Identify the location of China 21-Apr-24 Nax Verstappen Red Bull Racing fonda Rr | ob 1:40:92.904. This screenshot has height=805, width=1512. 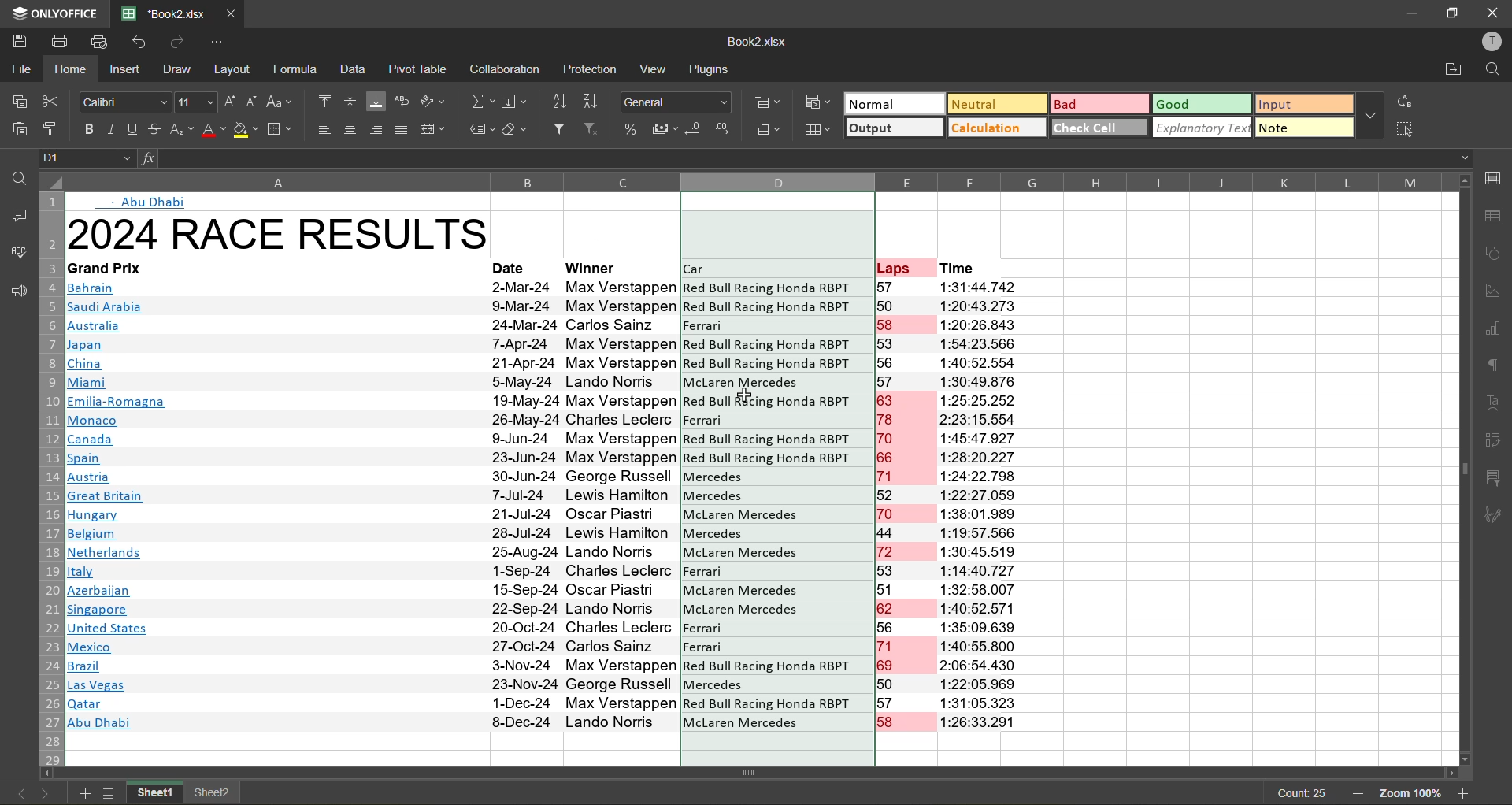
(545, 364).